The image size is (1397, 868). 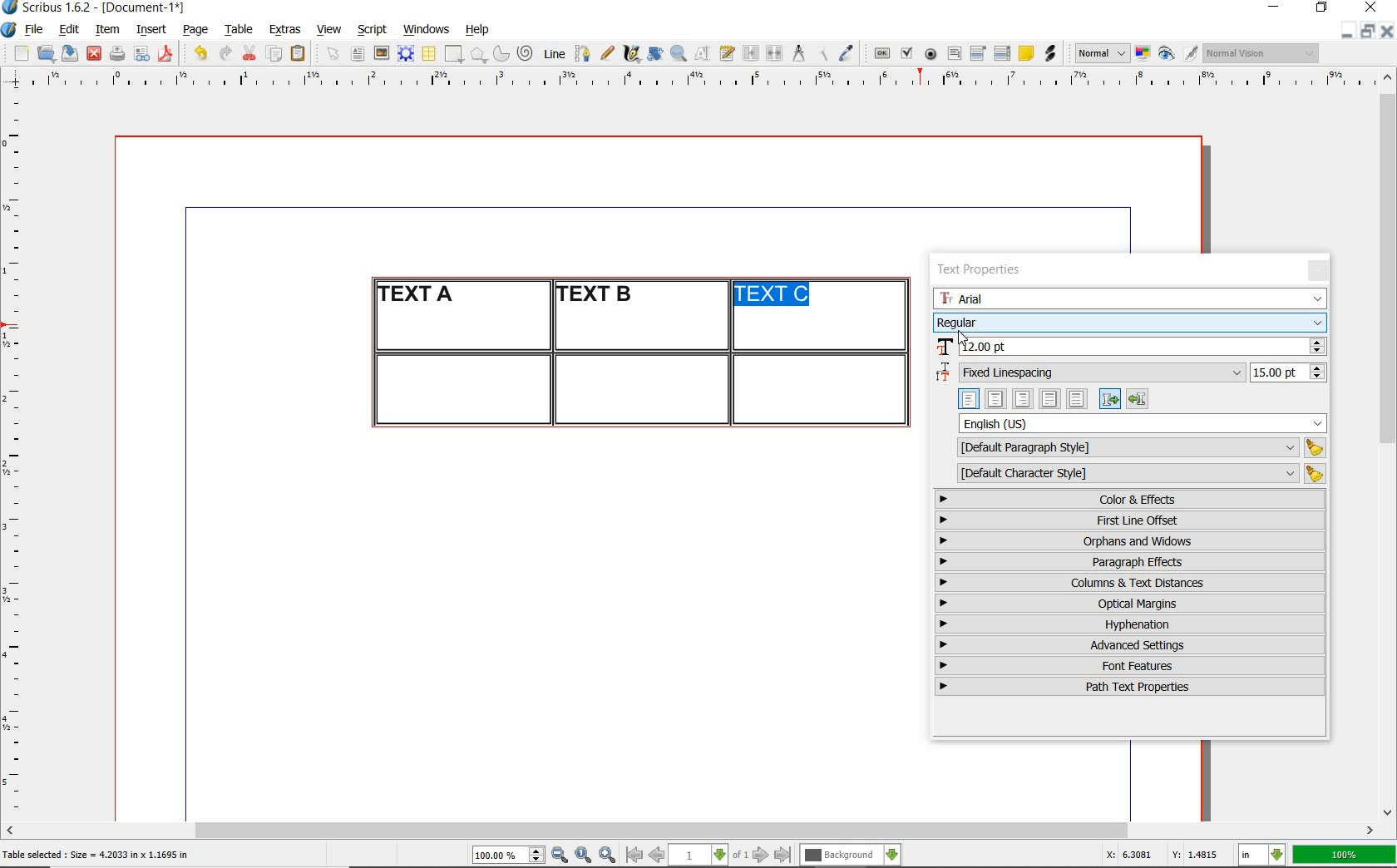 I want to click on copy item properties, so click(x=822, y=53).